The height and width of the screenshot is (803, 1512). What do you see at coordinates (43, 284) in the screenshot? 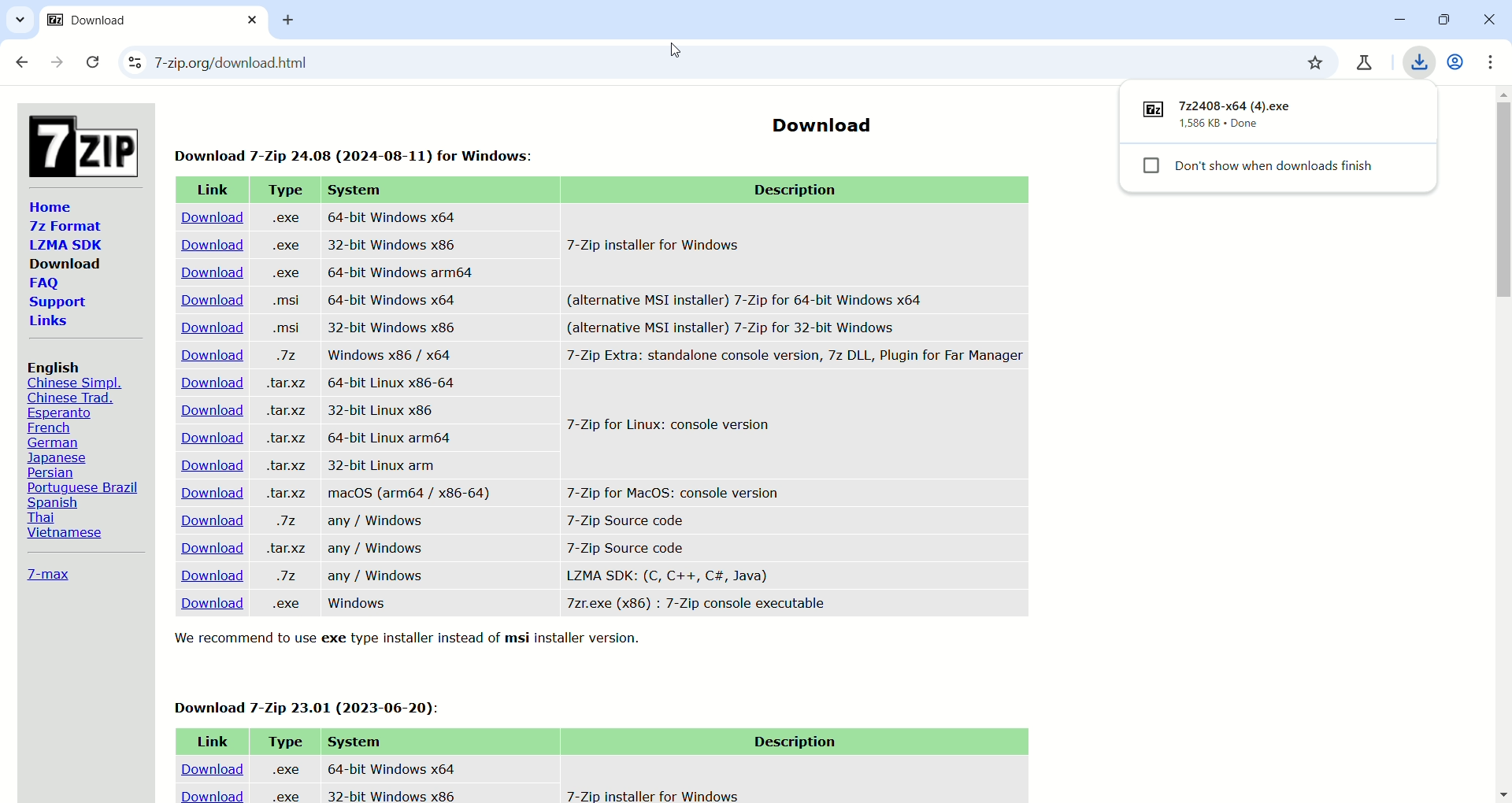
I see `FAQ` at bounding box center [43, 284].